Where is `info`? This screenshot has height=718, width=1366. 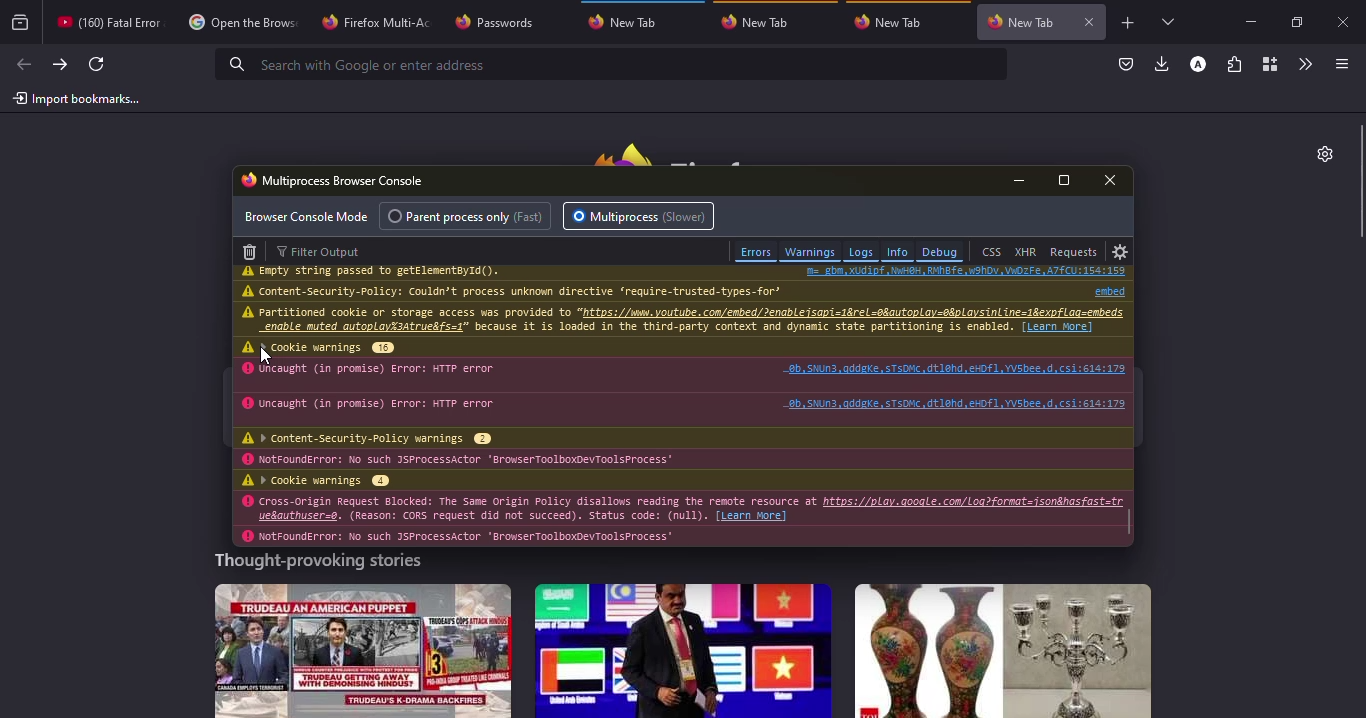
info is located at coordinates (640, 320).